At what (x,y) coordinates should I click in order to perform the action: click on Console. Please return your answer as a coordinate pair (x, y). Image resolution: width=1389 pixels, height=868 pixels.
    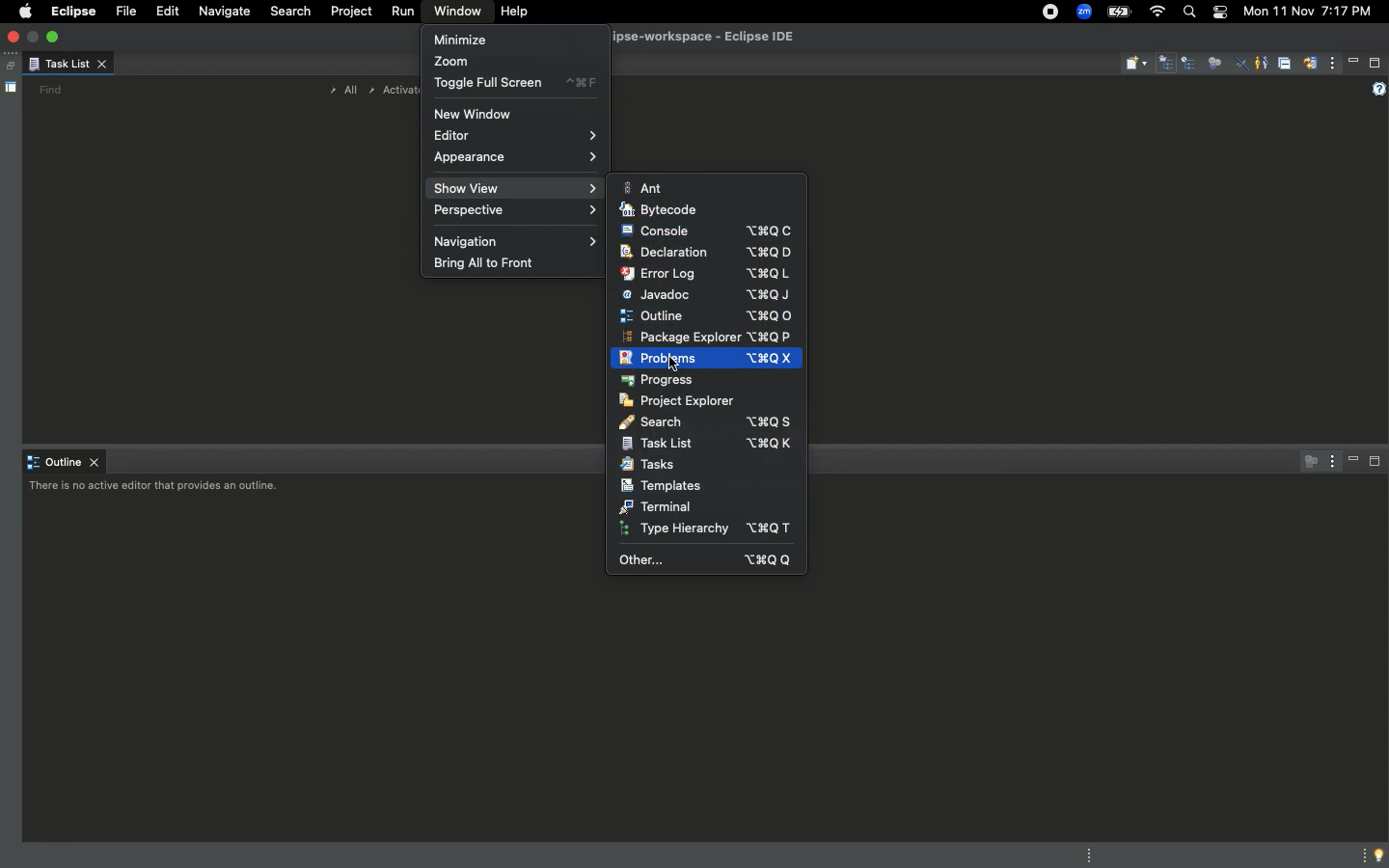
    Looking at the image, I should click on (706, 231).